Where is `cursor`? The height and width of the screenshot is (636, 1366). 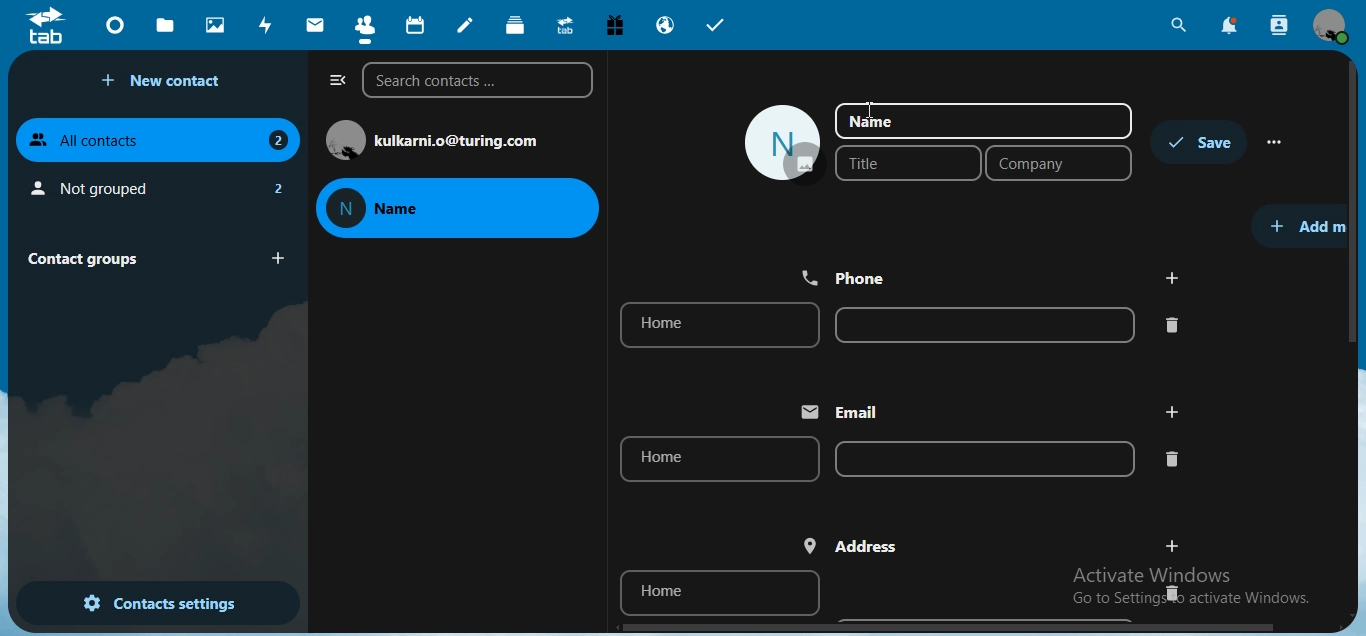 cursor is located at coordinates (873, 111).